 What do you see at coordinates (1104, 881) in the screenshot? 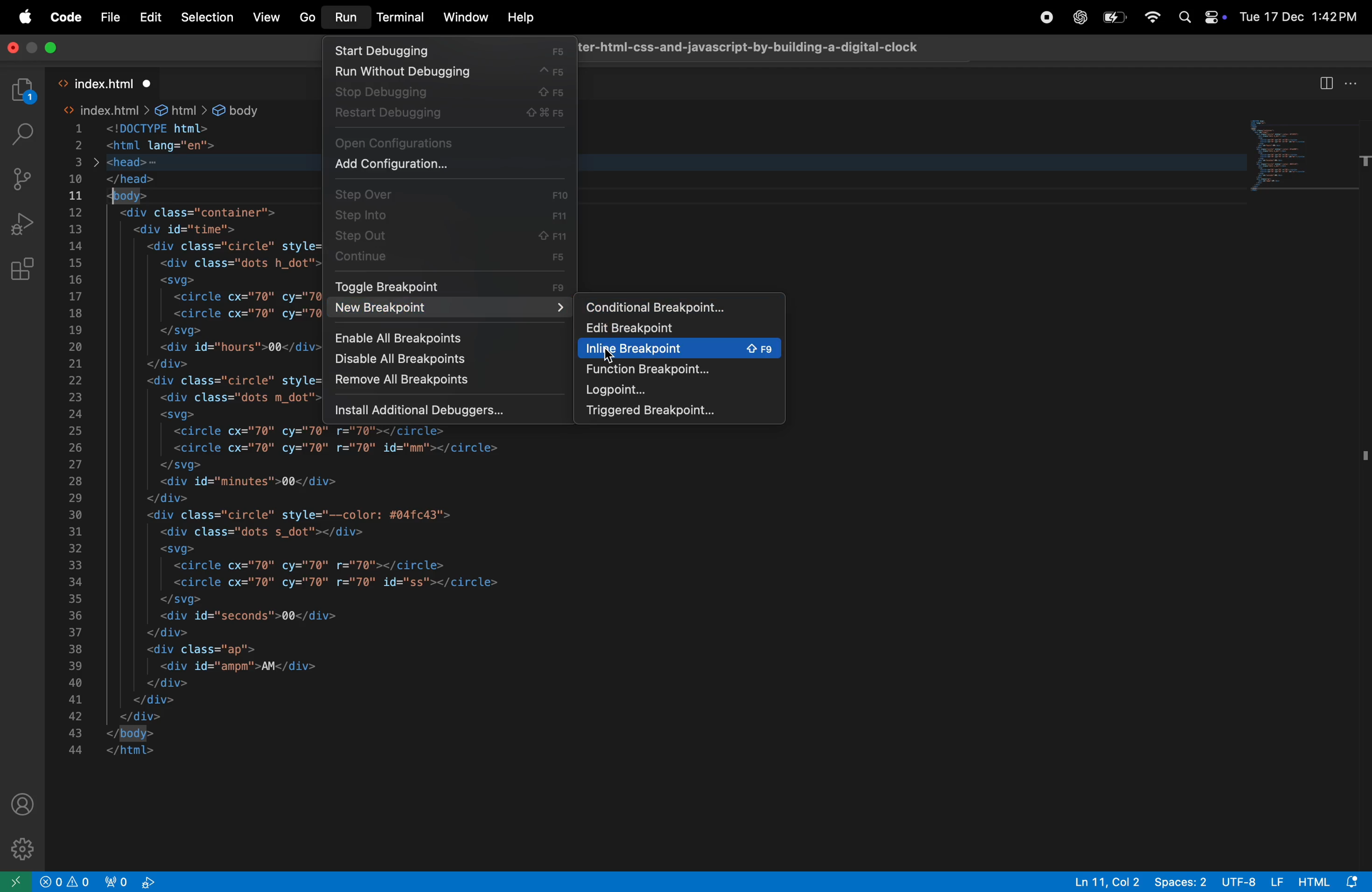
I see `ln 11, col 2` at bounding box center [1104, 881].